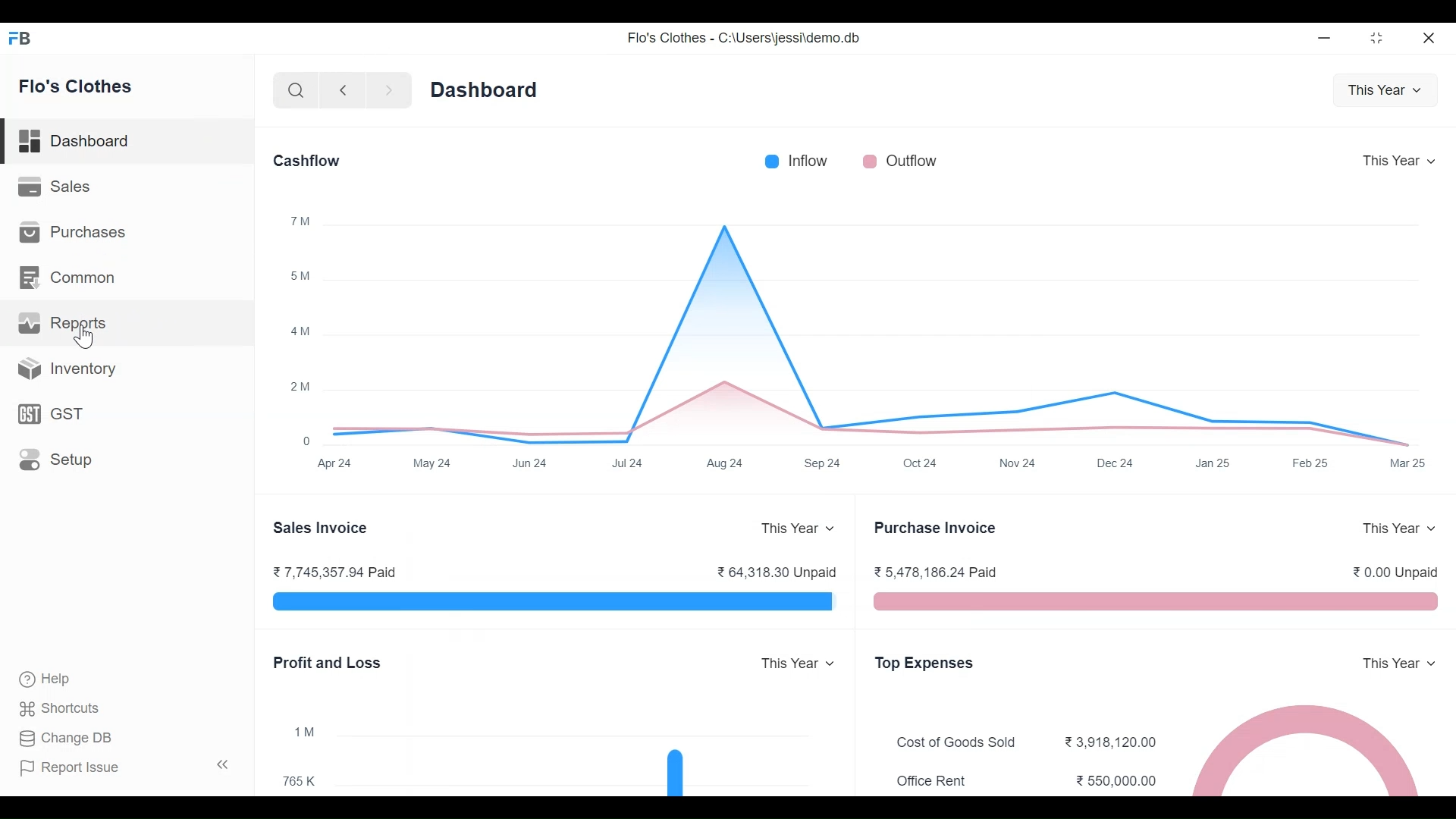 The width and height of the screenshot is (1456, 819). Describe the element at coordinates (555, 602) in the screenshot. I see `visual representation of paid over unpaid amount ` at that location.